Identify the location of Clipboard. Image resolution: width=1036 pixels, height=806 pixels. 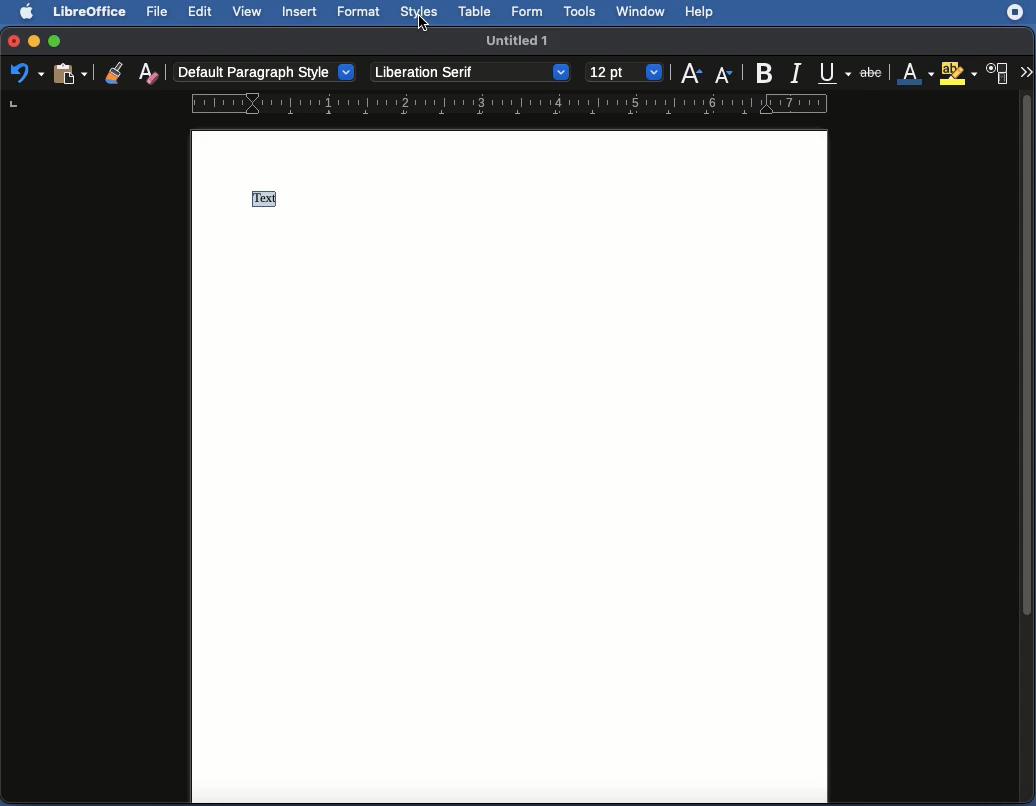
(68, 75).